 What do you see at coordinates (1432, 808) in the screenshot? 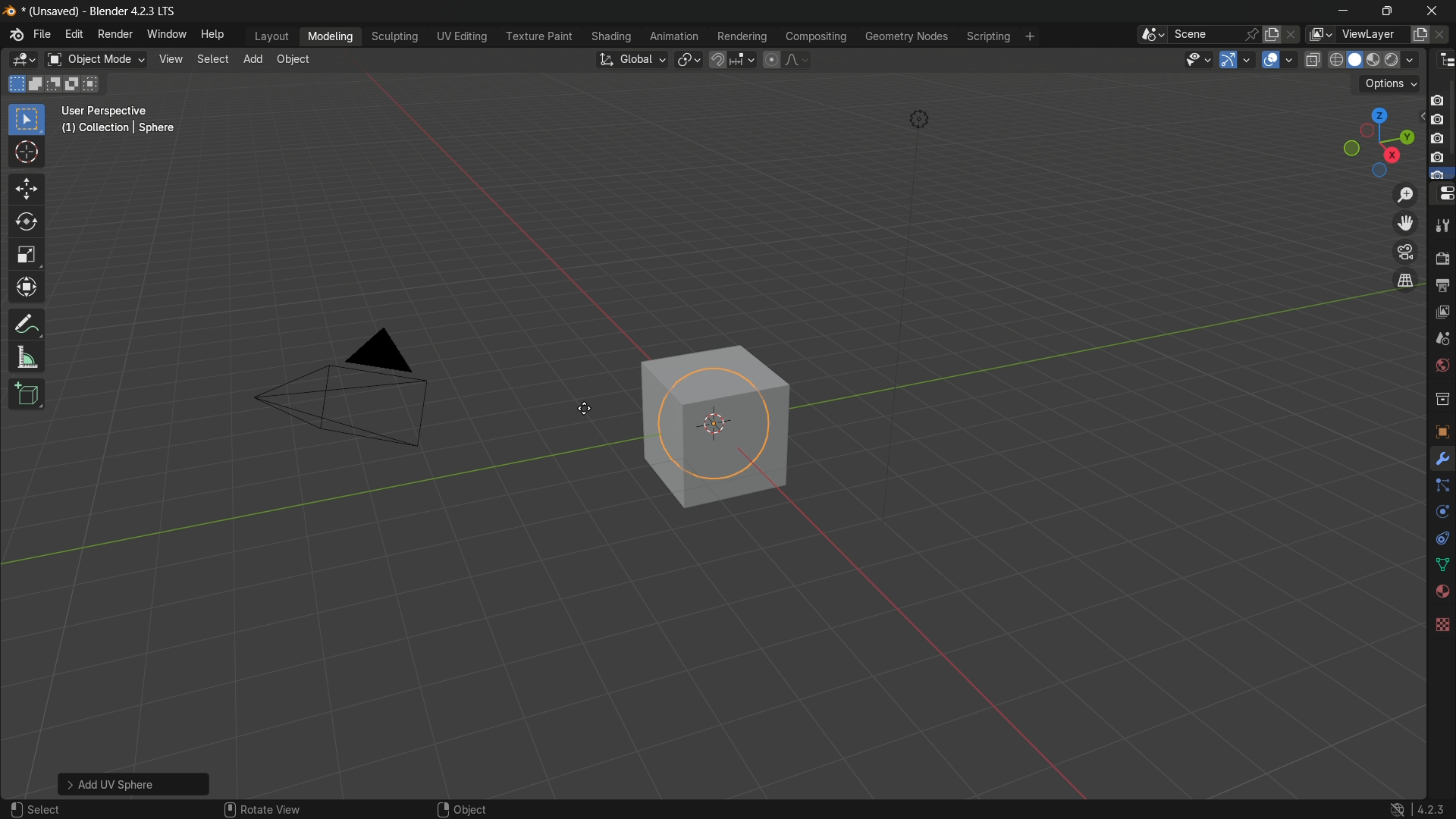
I see `4.2.3` at bounding box center [1432, 808].